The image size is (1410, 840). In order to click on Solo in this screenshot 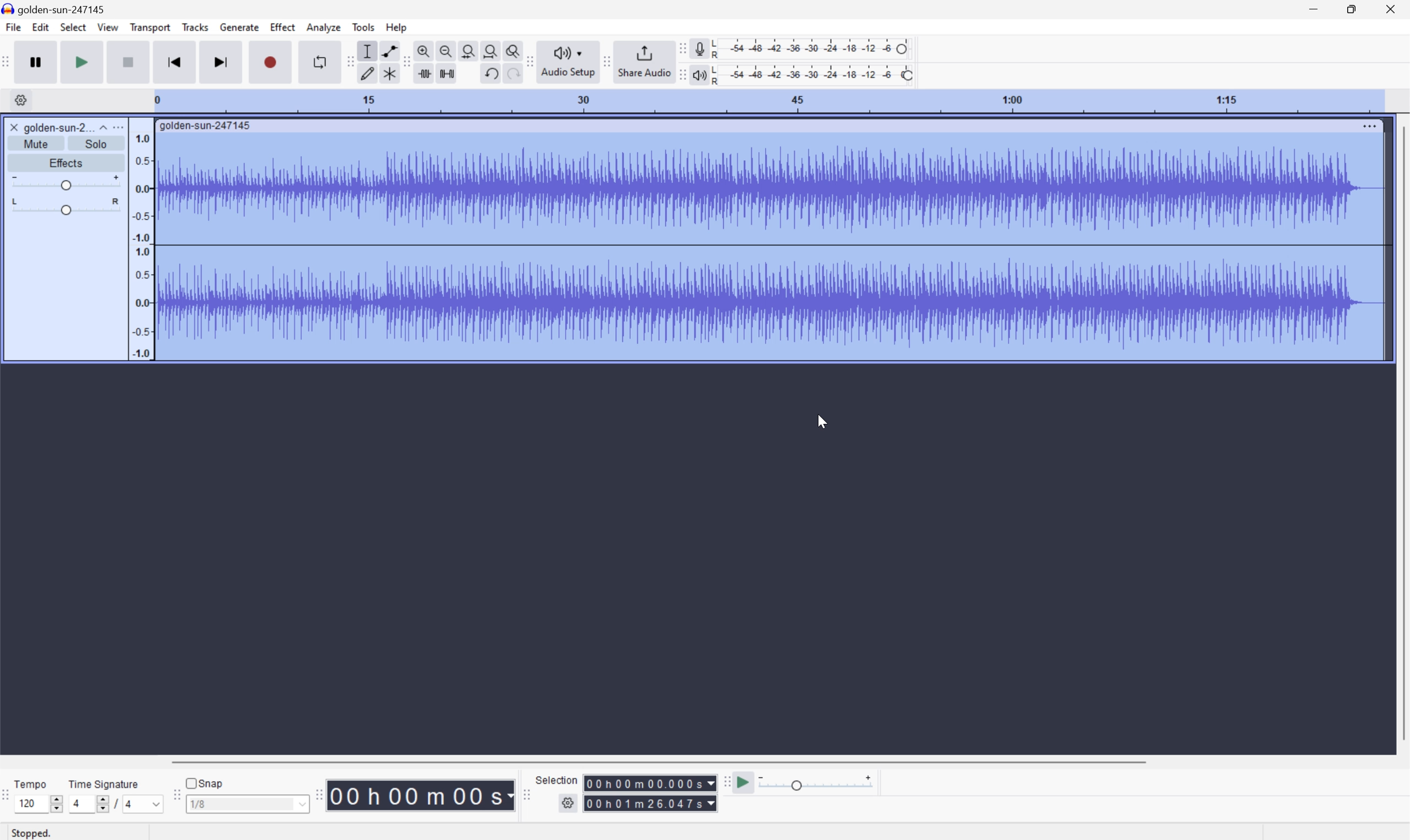, I will do `click(96, 143)`.